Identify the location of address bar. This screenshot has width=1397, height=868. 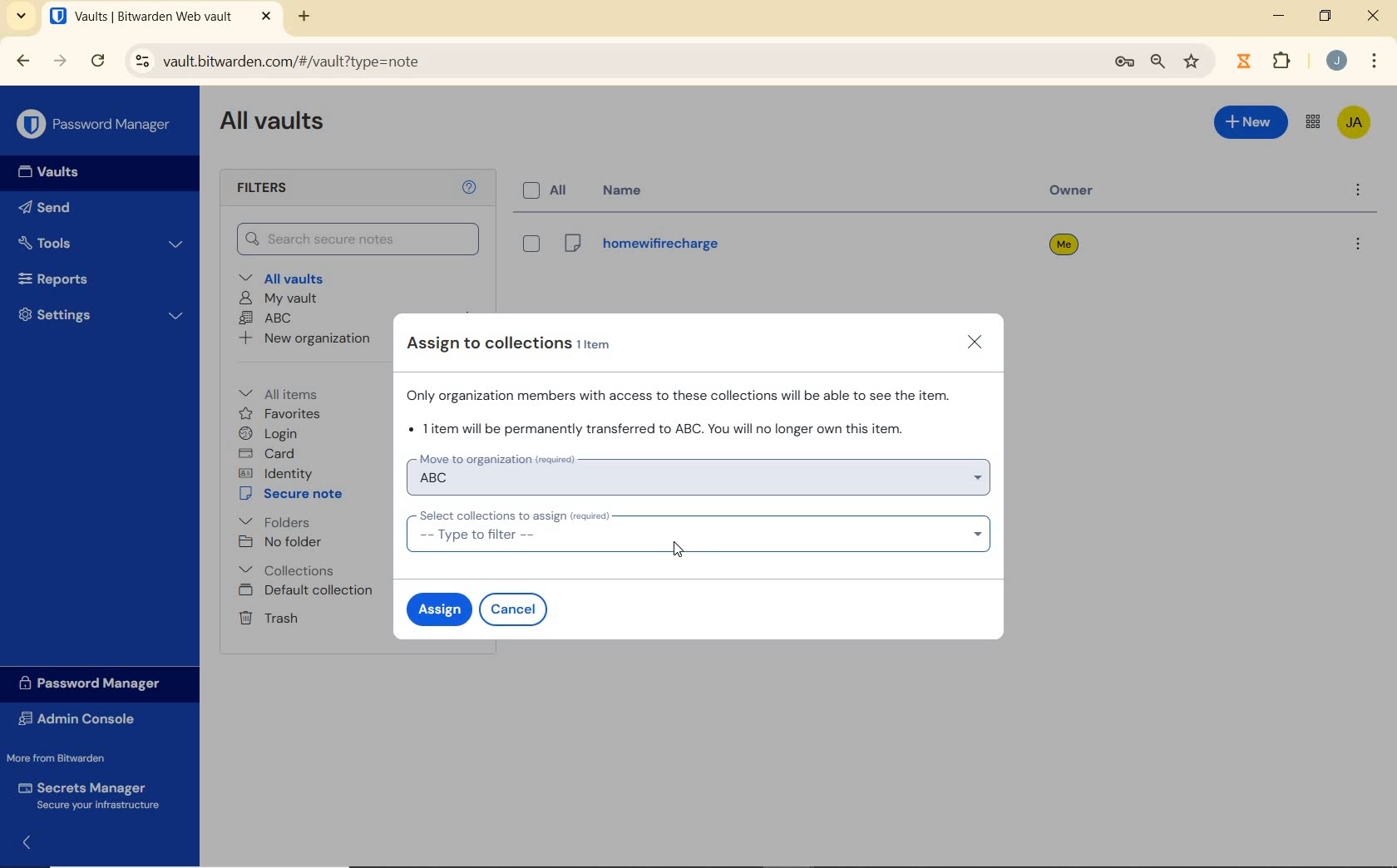
(607, 62).